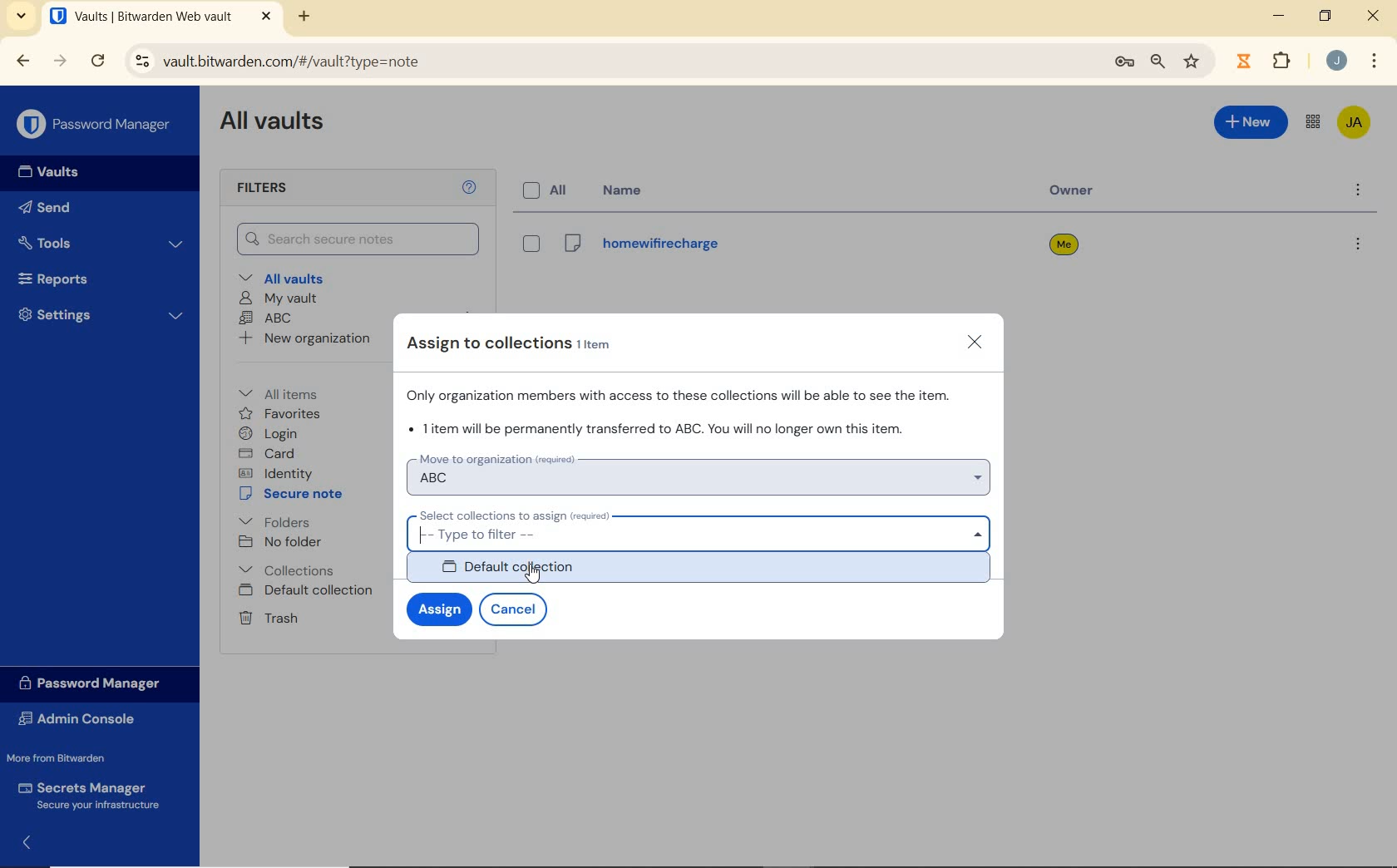 This screenshot has height=868, width=1397. I want to click on login, so click(271, 433).